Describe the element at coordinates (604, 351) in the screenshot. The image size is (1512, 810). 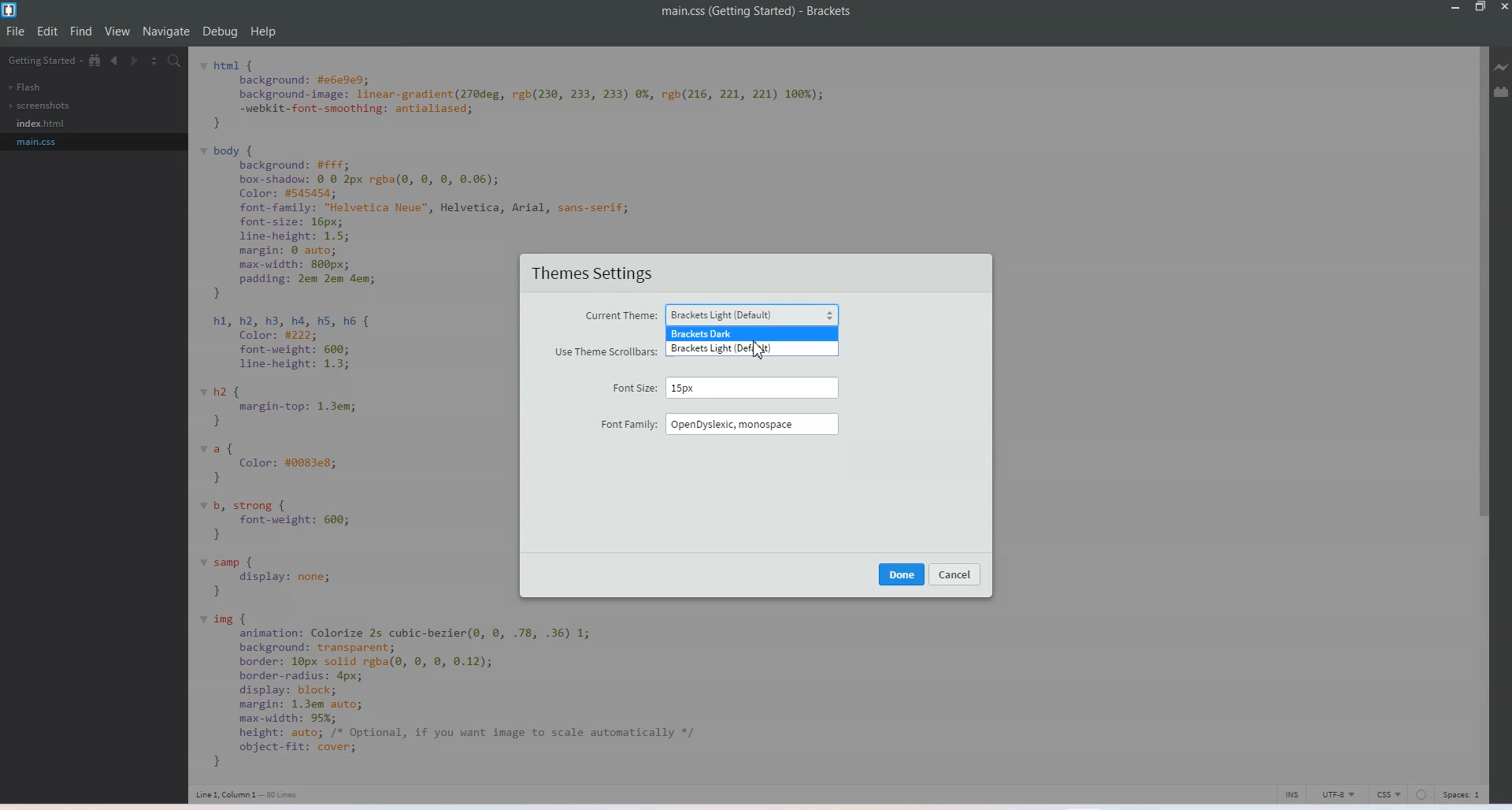
I see `use theme scroll bars` at that location.